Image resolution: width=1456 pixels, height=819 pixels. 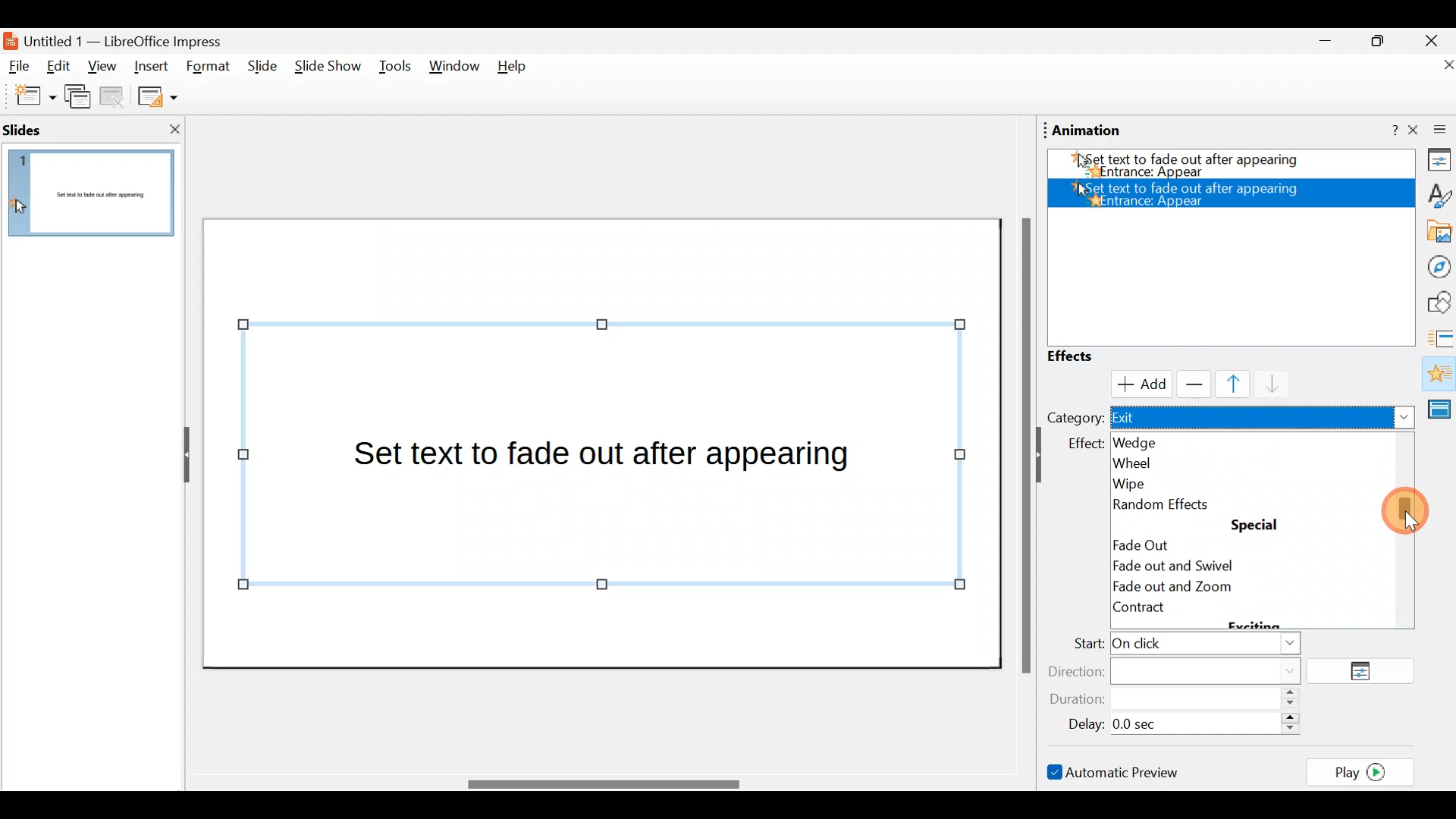 What do you see at coordinates (1116, 771) in the screenshot?
I see `Automatic preview` at bounding box center [1116, 771].